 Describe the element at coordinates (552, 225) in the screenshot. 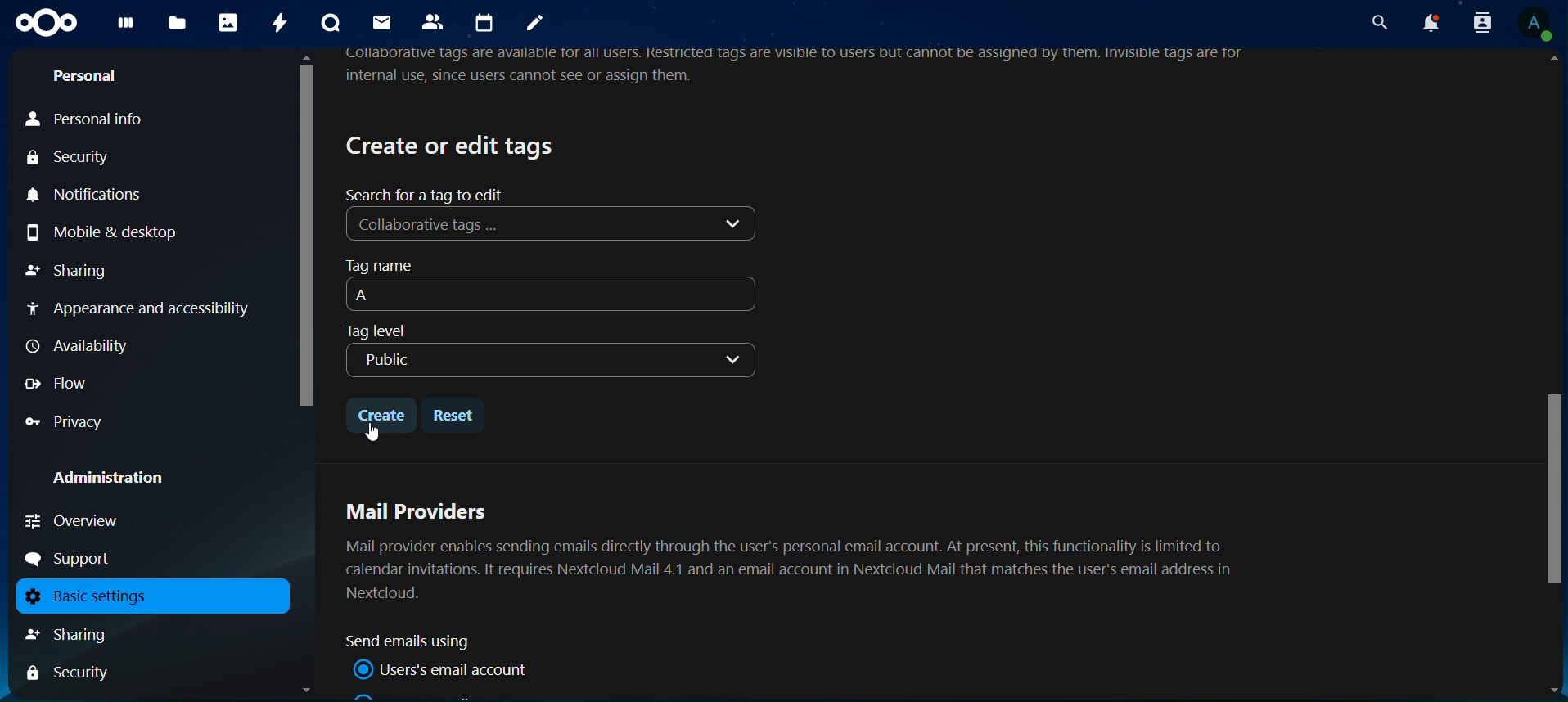

I see `Collaborative tags ... ` at that location.